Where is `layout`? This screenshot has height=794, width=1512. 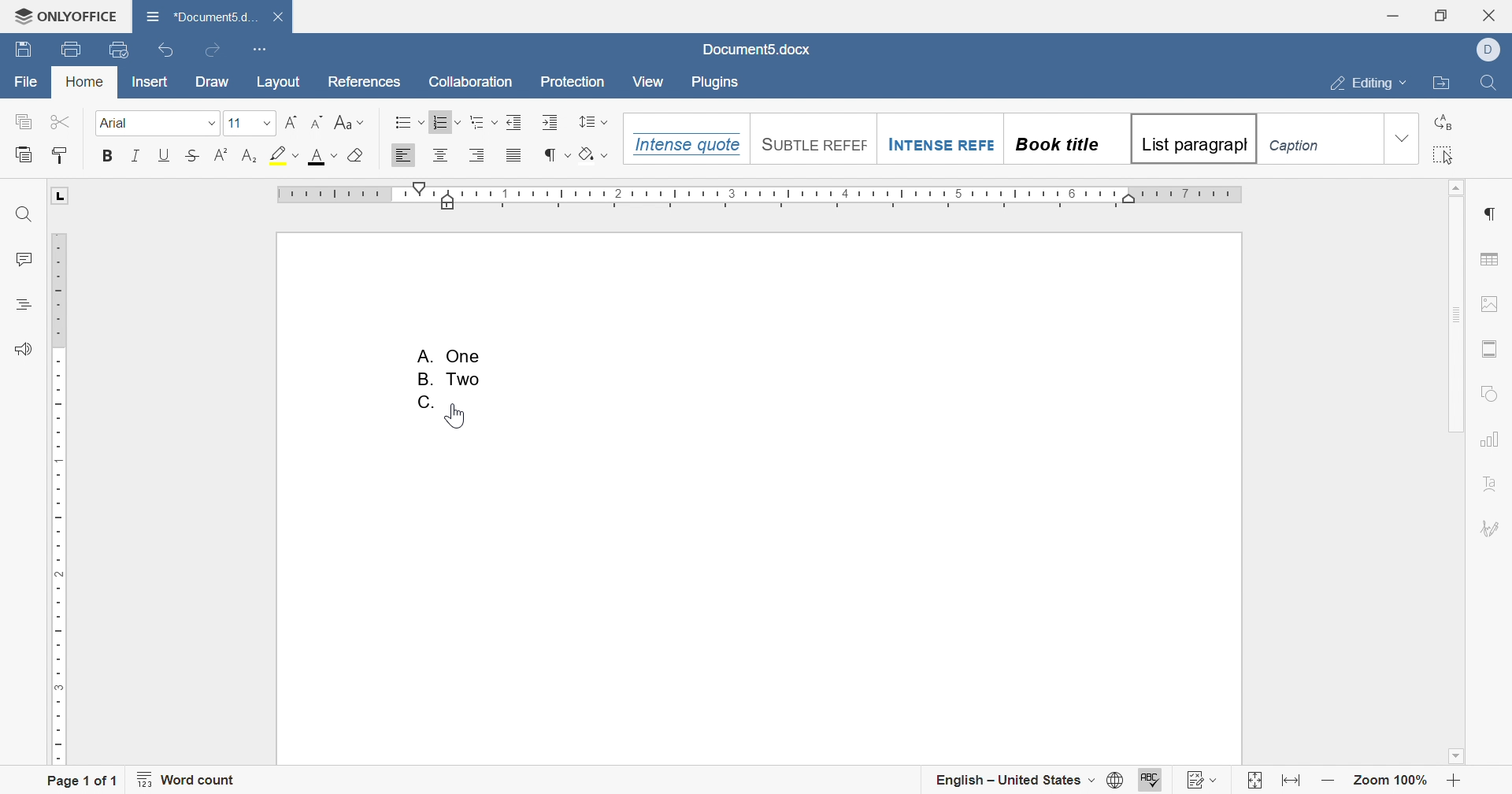 layout is located at coordinates (282, 84).